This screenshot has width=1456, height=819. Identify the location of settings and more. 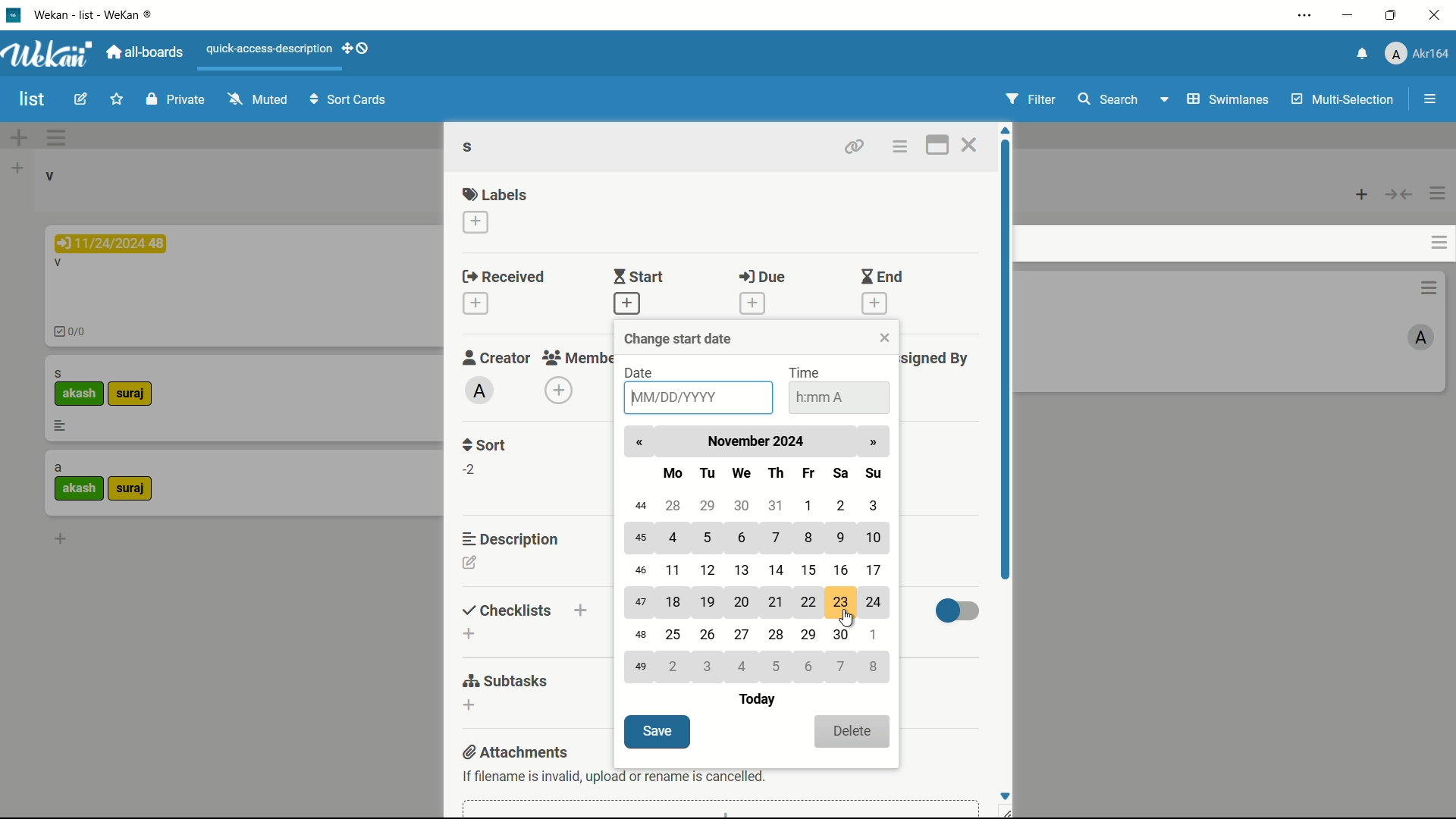
(1307, 15).